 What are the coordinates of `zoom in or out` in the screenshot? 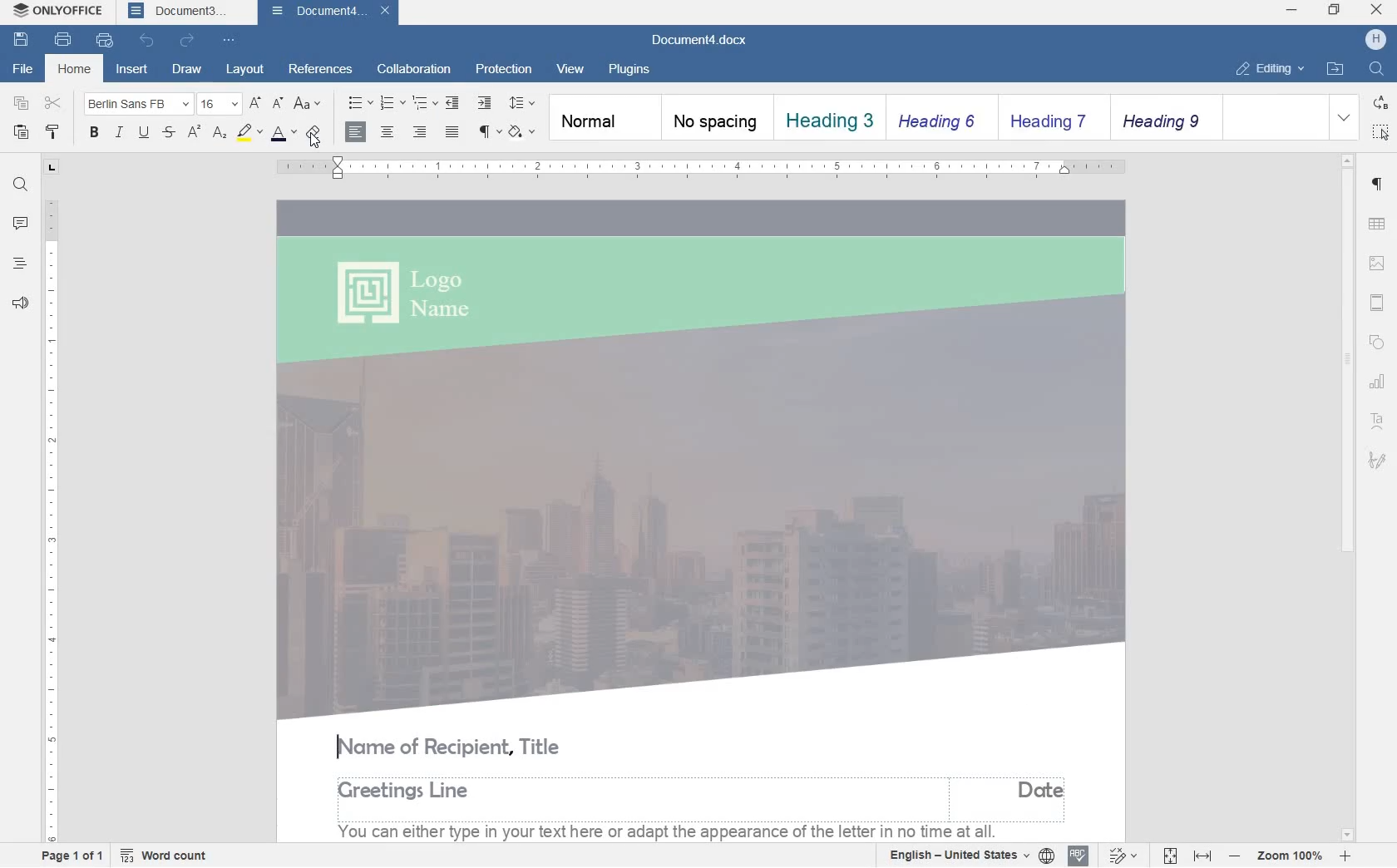 It's located at (1291, 855).